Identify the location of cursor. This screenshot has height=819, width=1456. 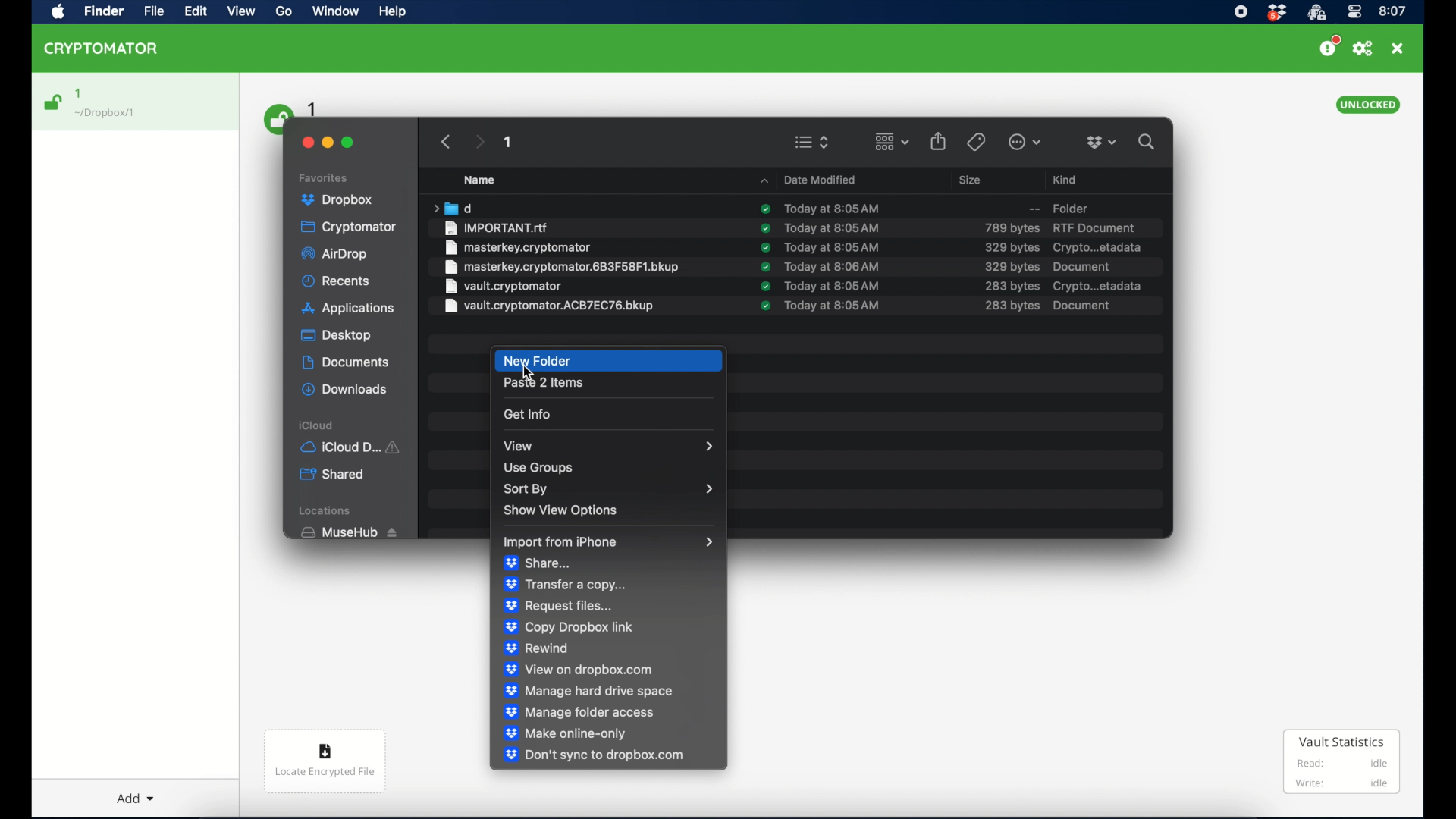
(532, 372).